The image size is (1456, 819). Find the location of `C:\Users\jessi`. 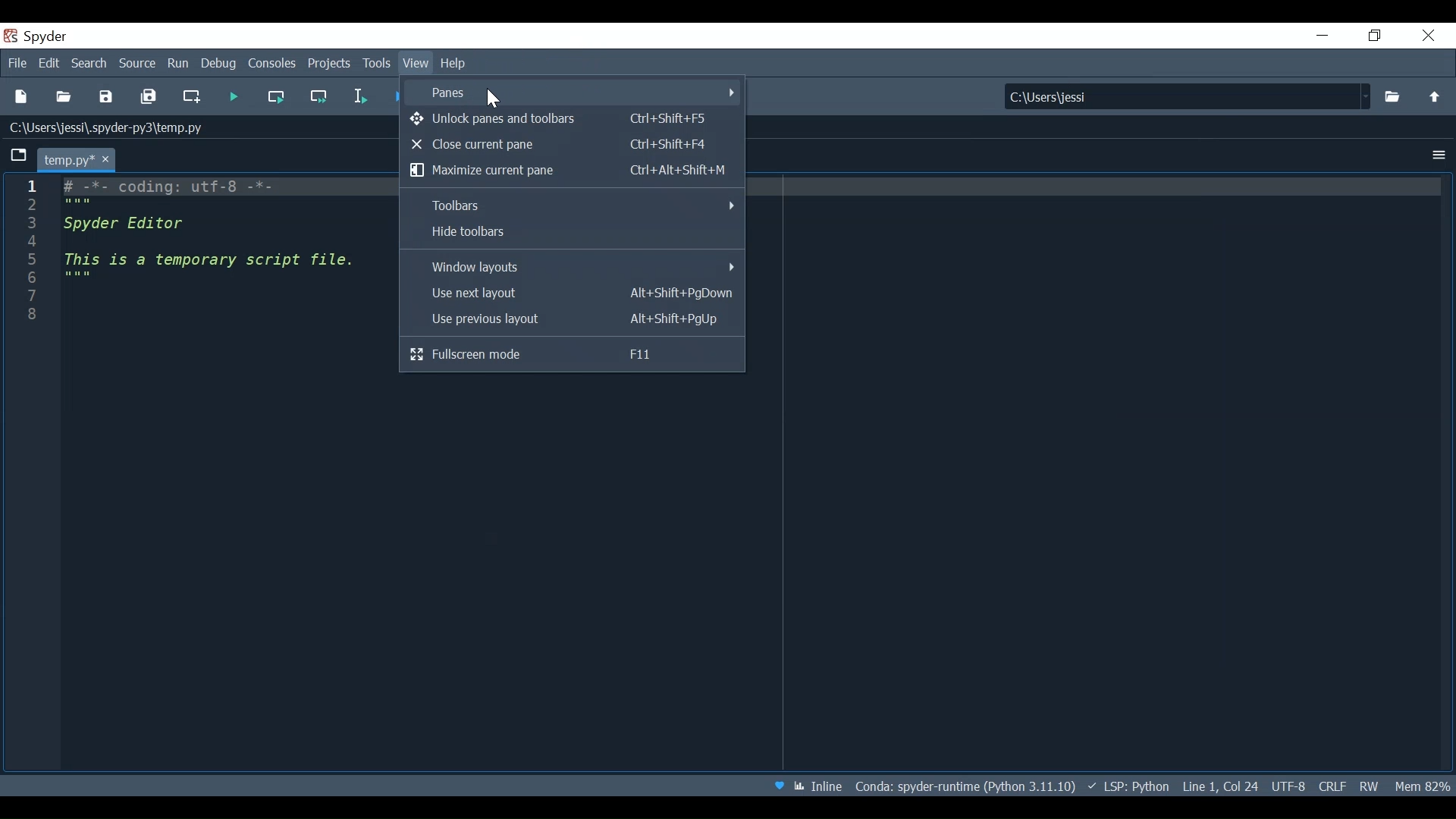

C:\Users\jessi is located at coordinates (1189, 96).